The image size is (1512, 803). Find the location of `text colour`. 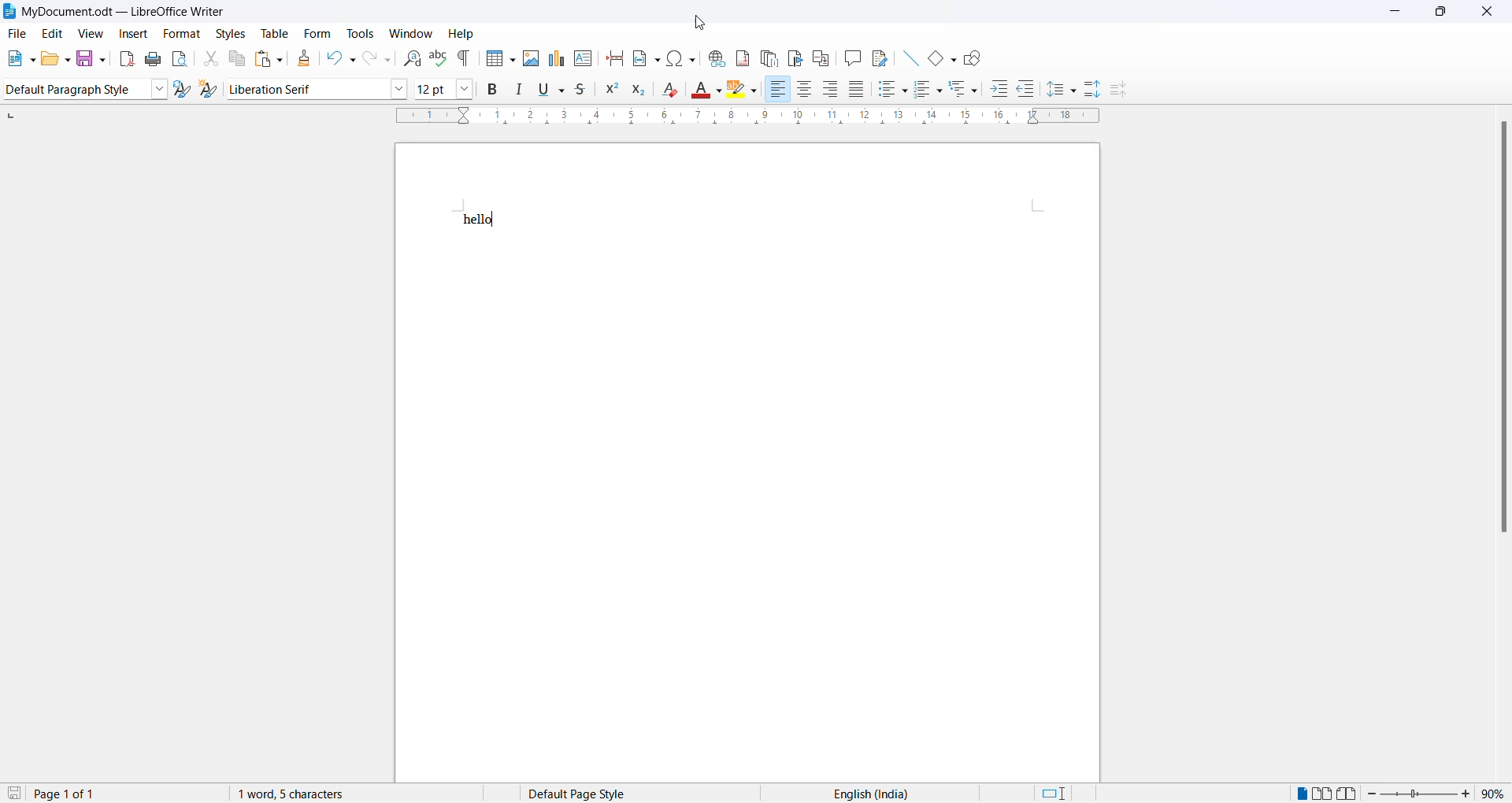

text colour is located at coordinates (707, 89).